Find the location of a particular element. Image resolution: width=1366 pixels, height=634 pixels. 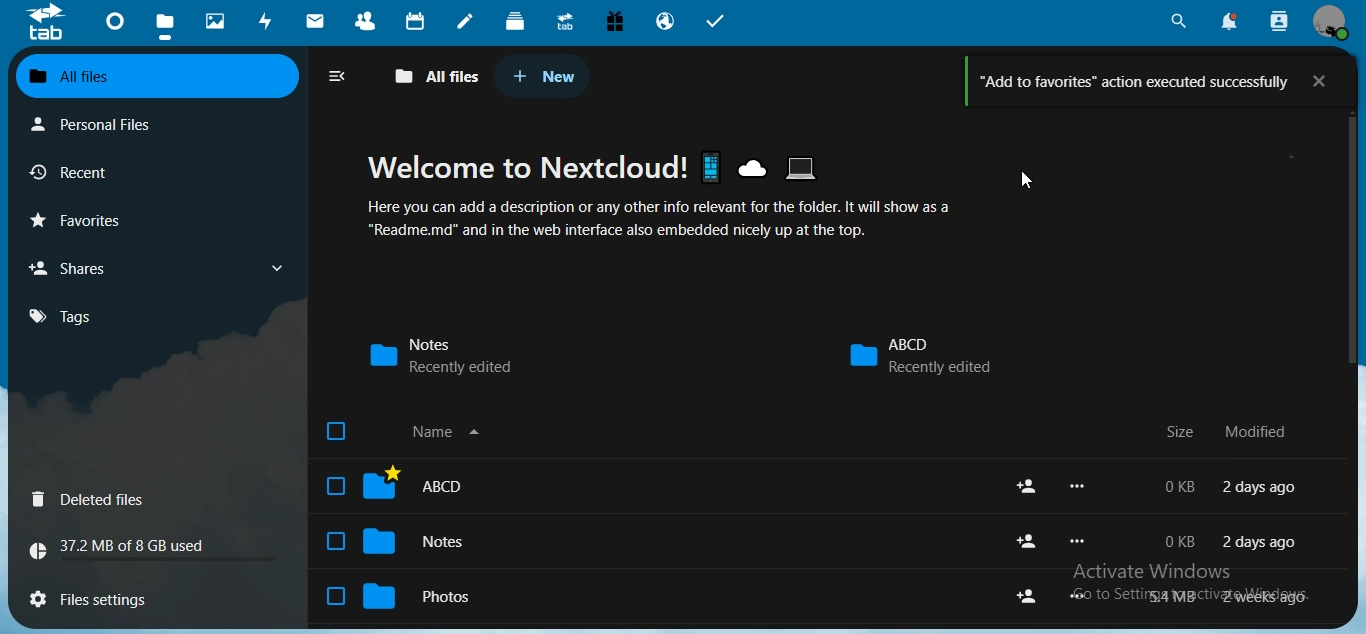

size is located at coordinates (1183, 432).